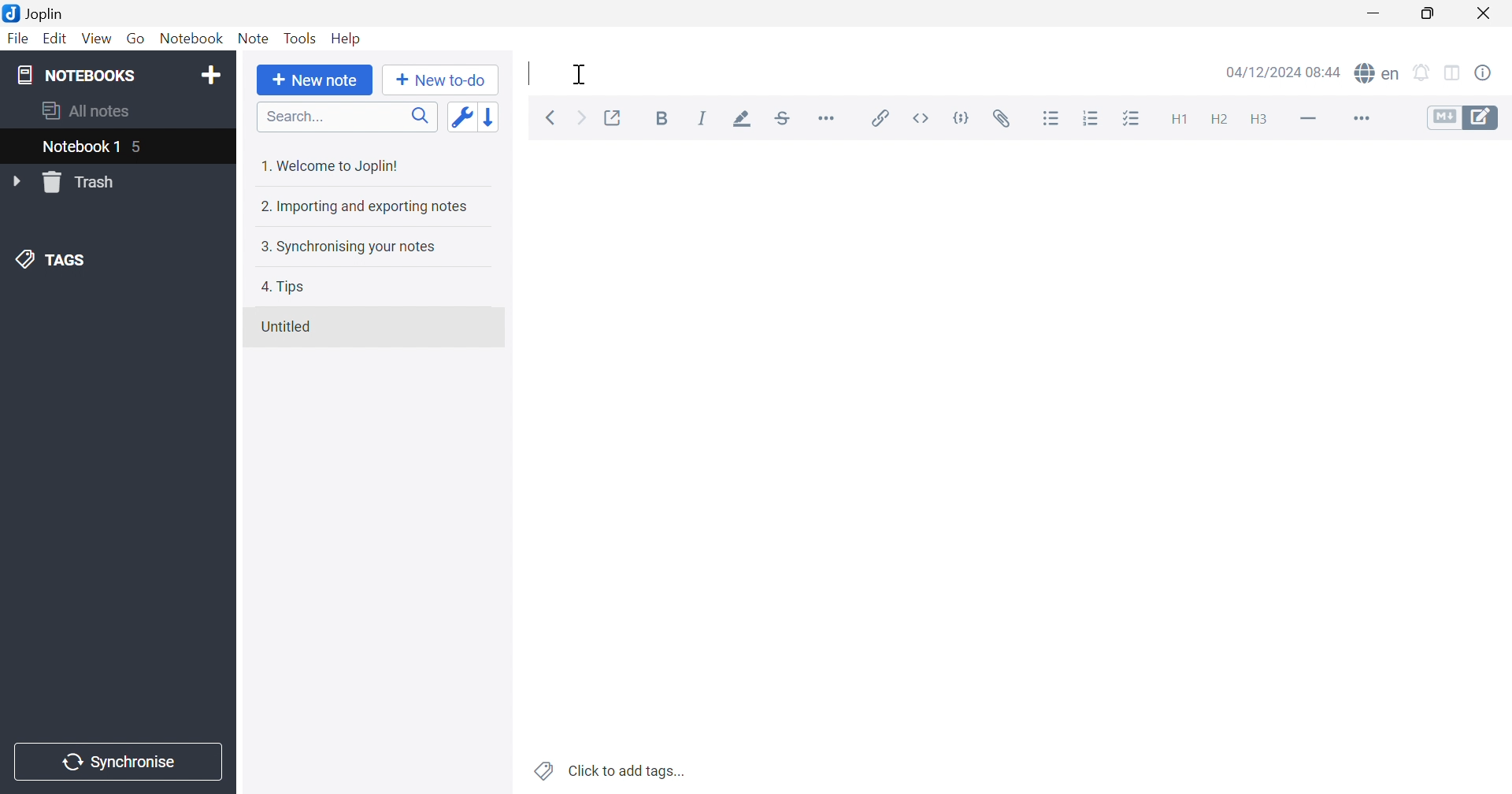  I want to click on Bulleted list, so click(1053, 121).